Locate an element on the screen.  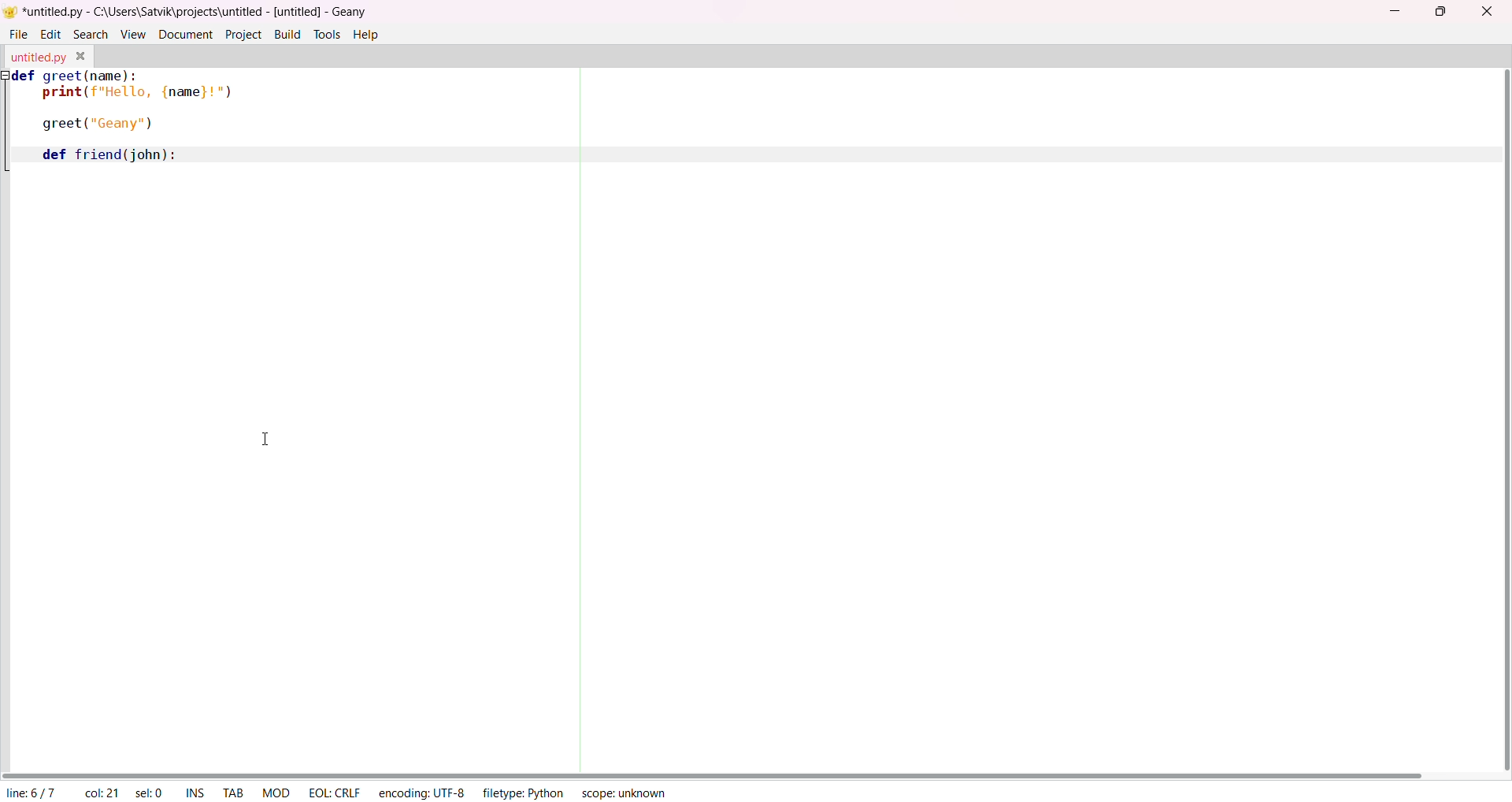
untitled.py is located at coordinates (35, 56).